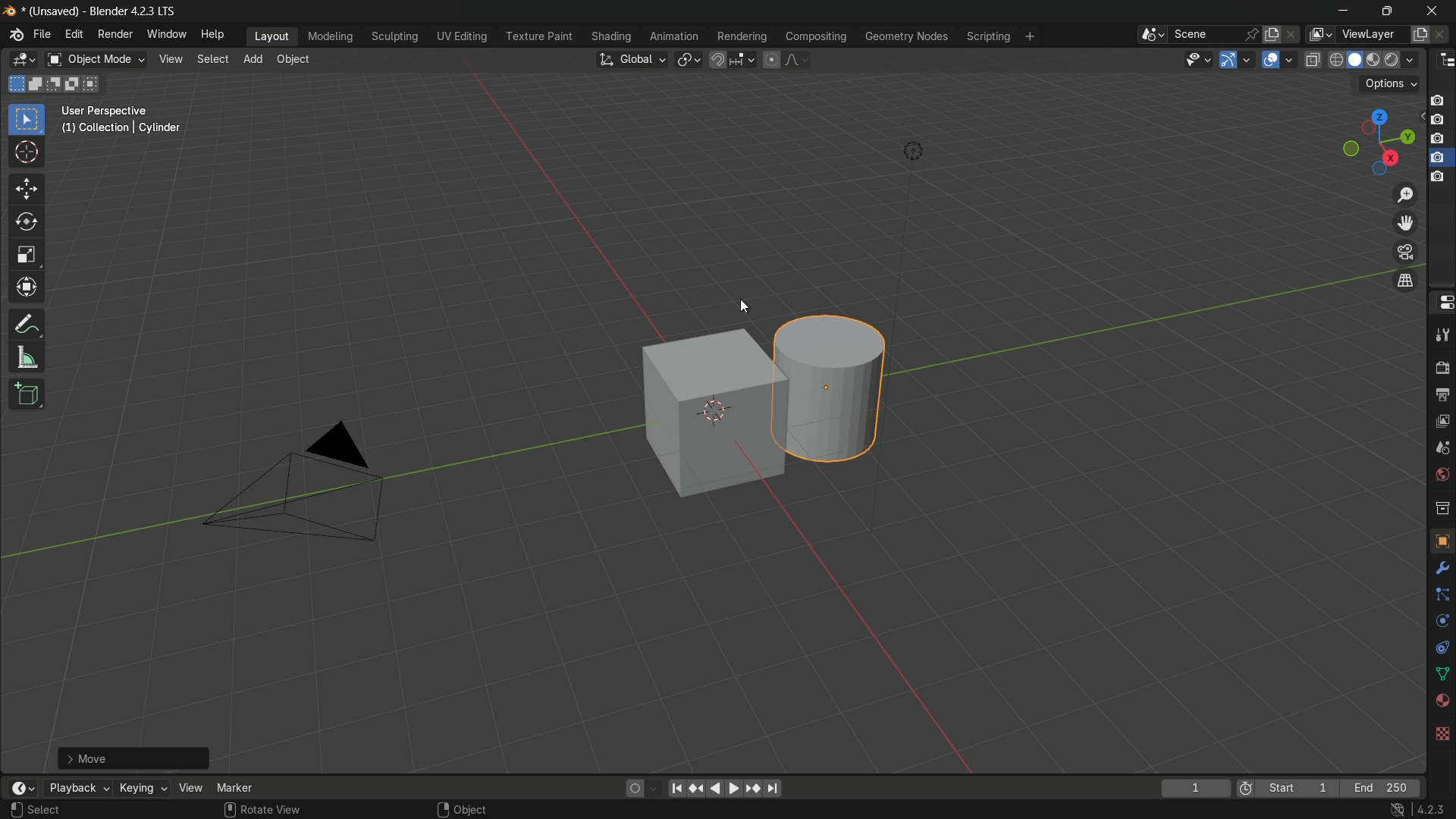 The height and width of the screenshot is (819, 1456). Describe the element at coordinates (1438, 181) in the screenshot. I see `capture` at that location.